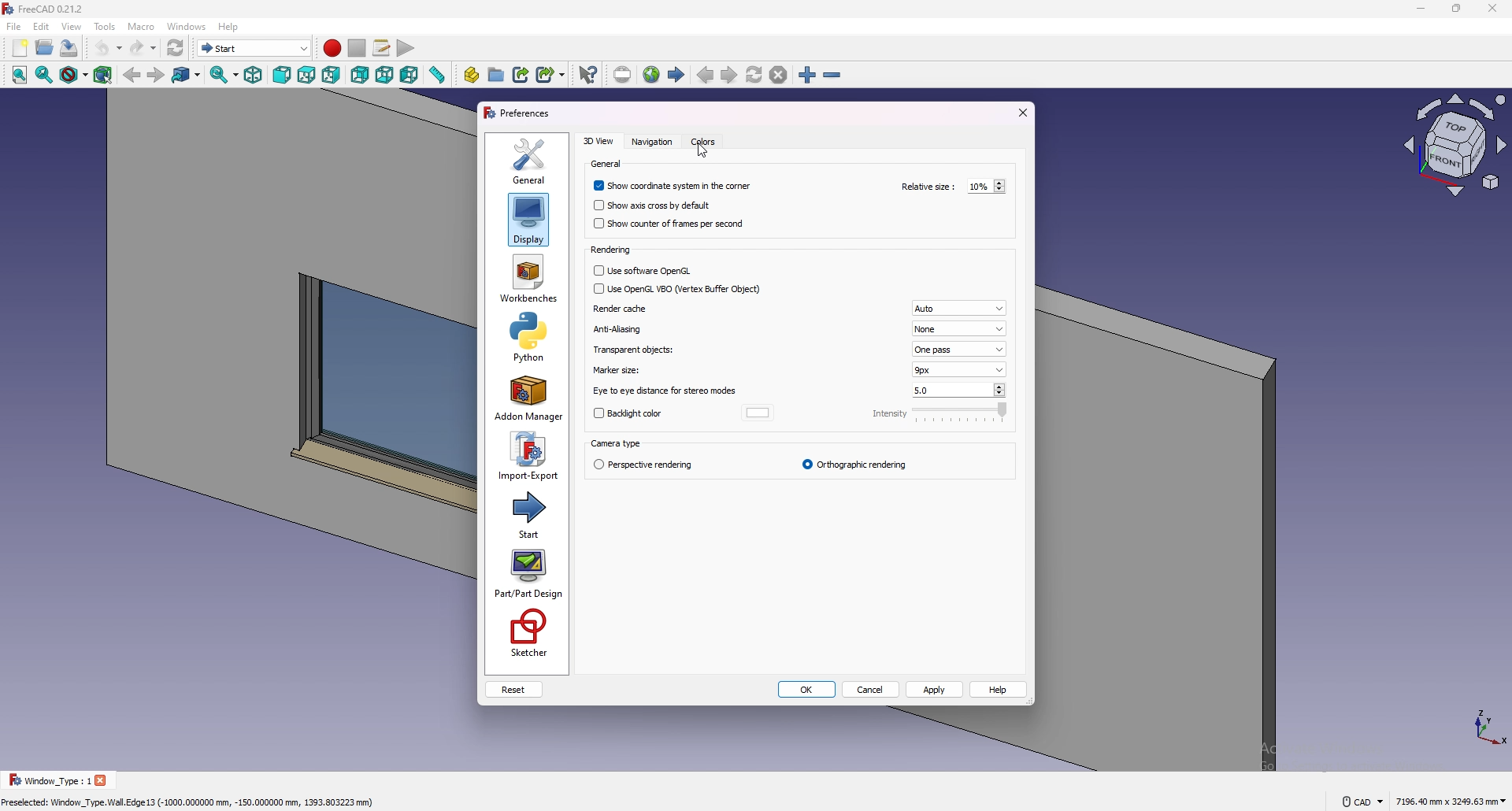  Describe the element at coordinates (1492, 9) in the screenshot. I see `close` at that location.